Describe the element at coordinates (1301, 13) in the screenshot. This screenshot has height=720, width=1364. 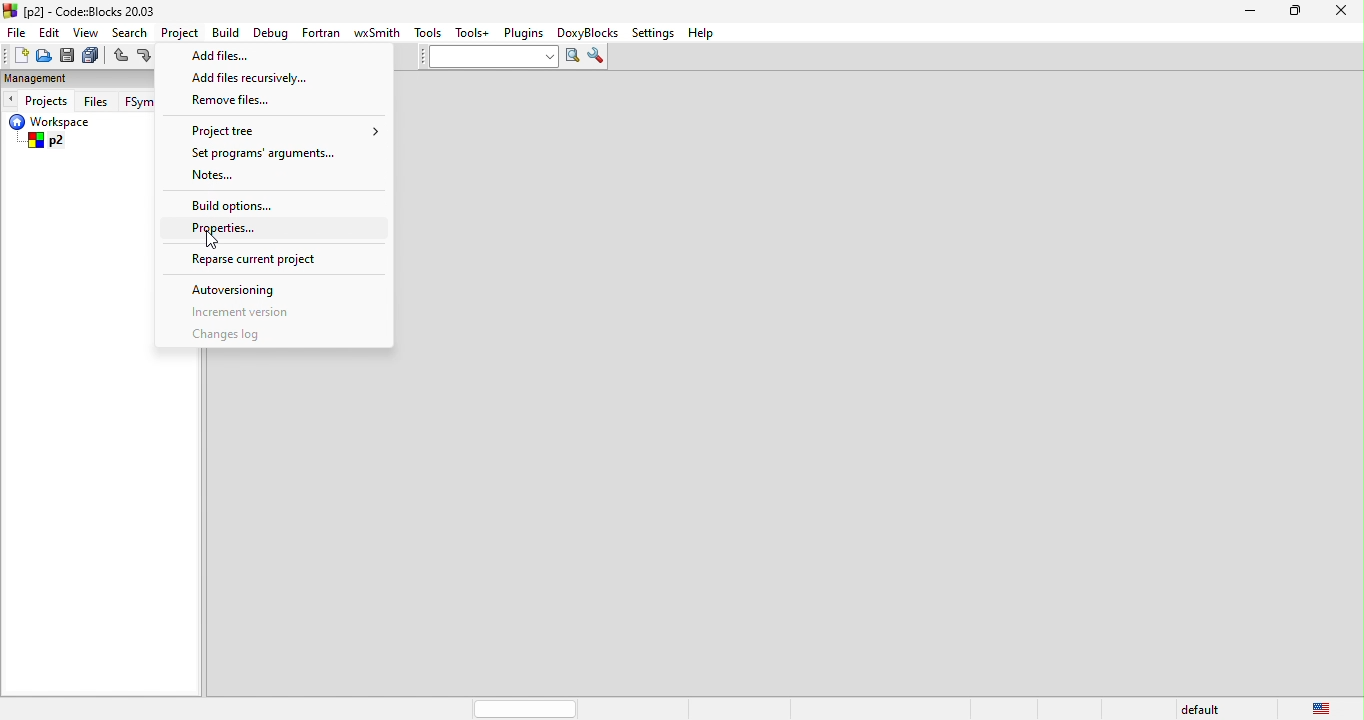
I see `maximize` at that location.